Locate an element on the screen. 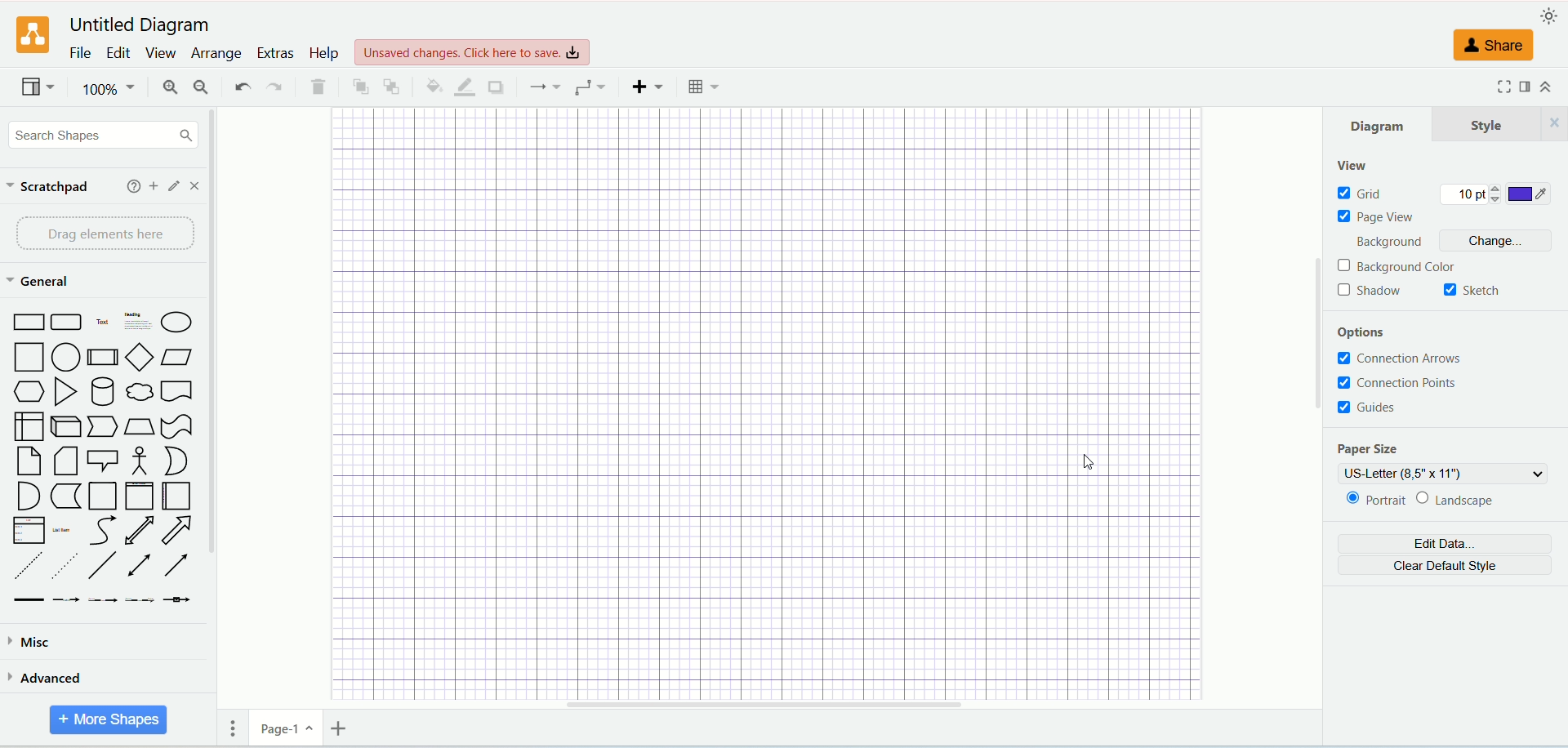 This screenshot has height=748, width=1568. fill color is located at coordinates (432, 85).